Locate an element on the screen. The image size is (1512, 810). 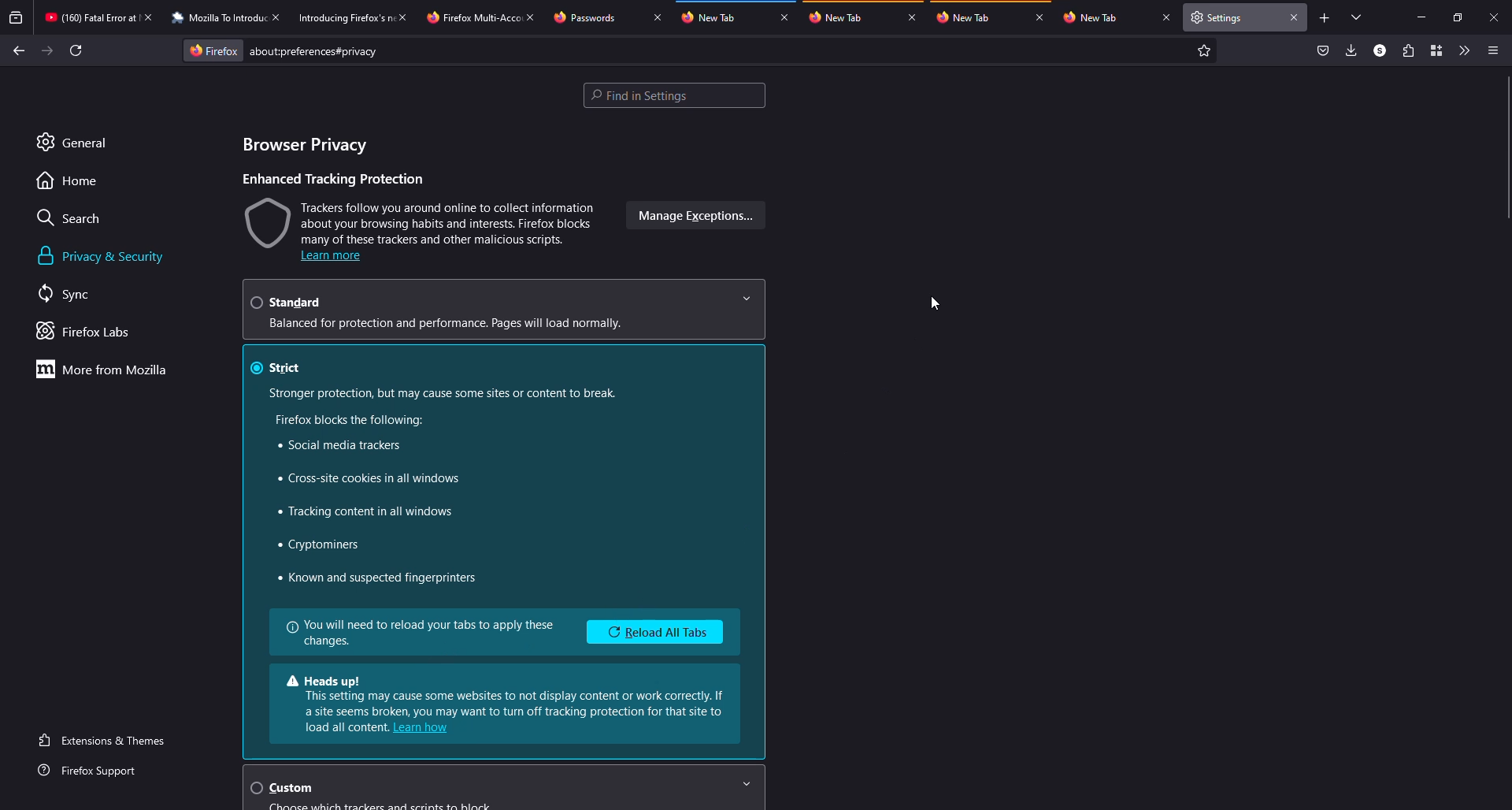
back is located at coordinates (15, 47).